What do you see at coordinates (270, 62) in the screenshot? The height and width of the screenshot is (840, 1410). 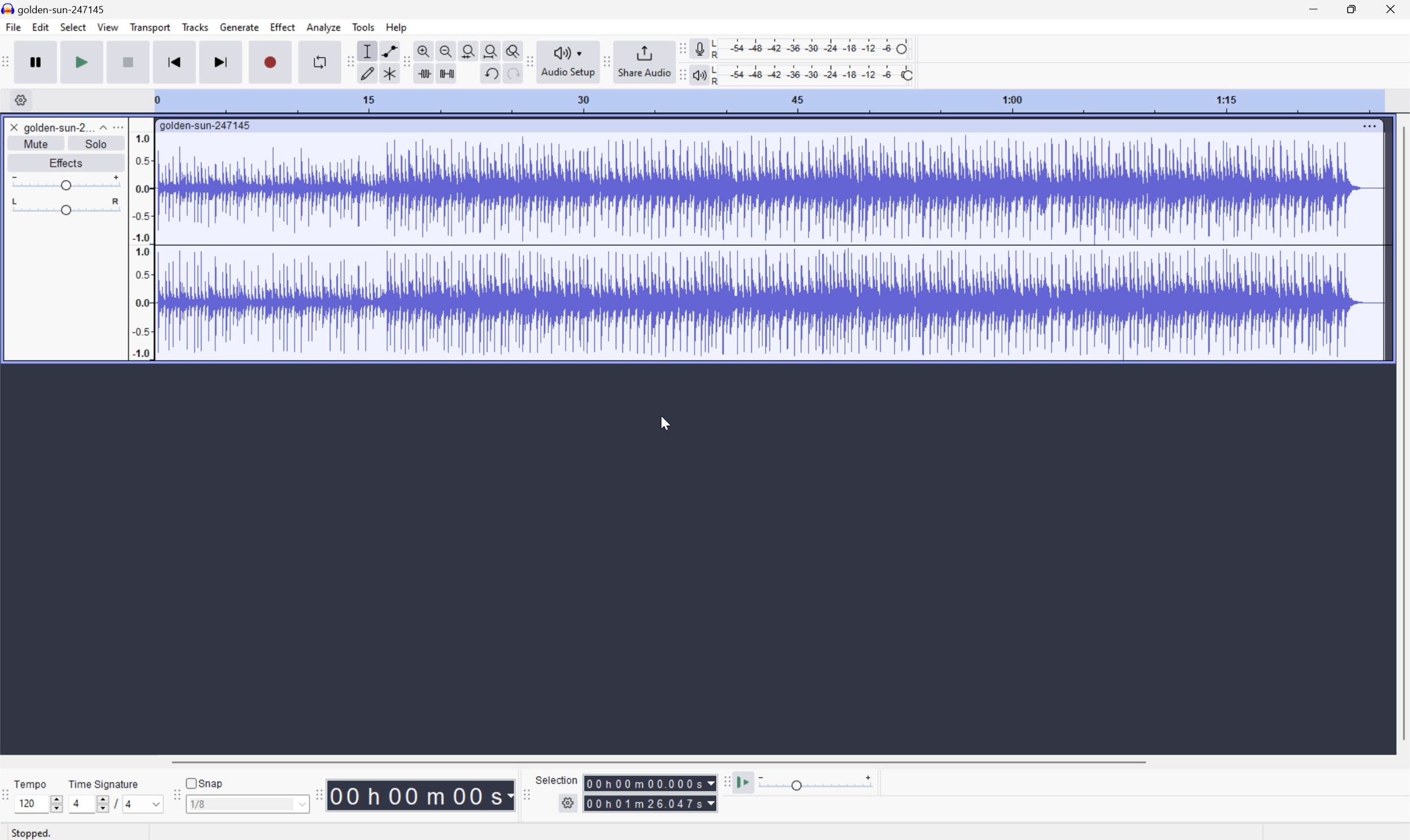 I see `Record / Record new track` at bounding box center [270, 62].